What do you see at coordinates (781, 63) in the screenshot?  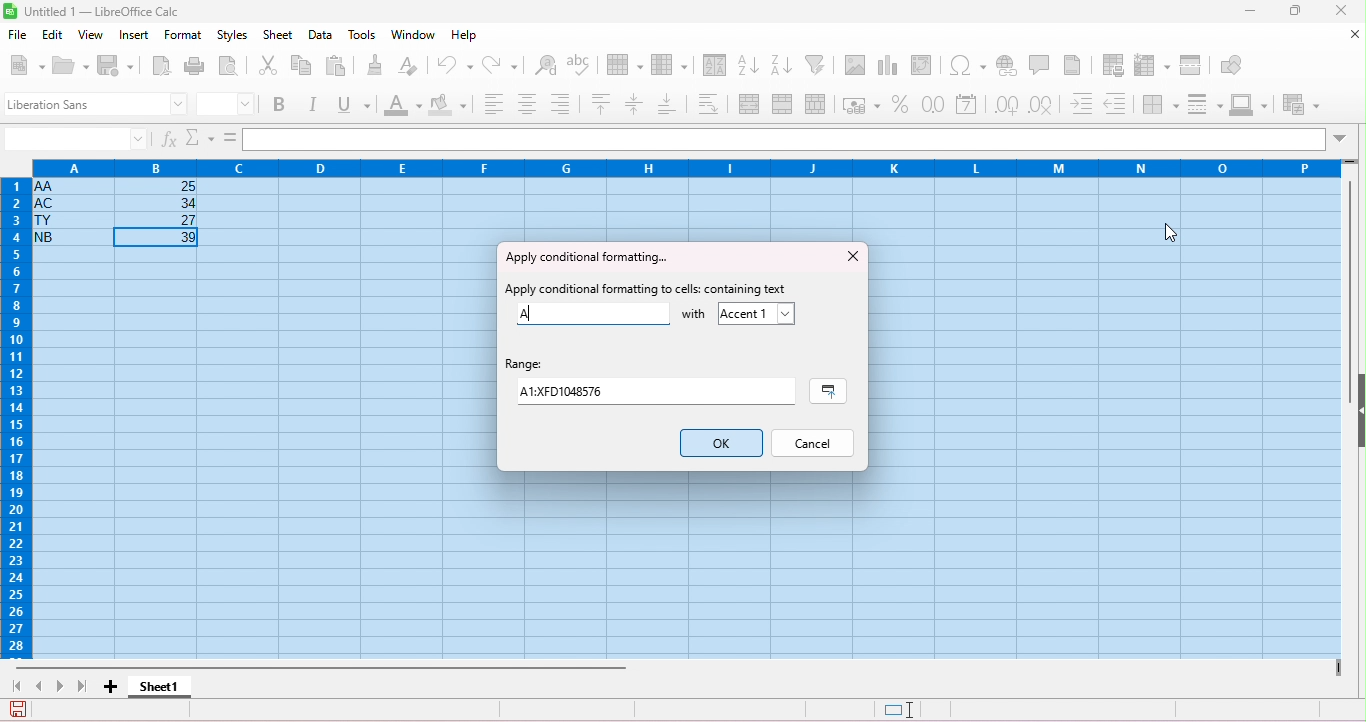 I see `sort descending` at bounding box center [781, 63].